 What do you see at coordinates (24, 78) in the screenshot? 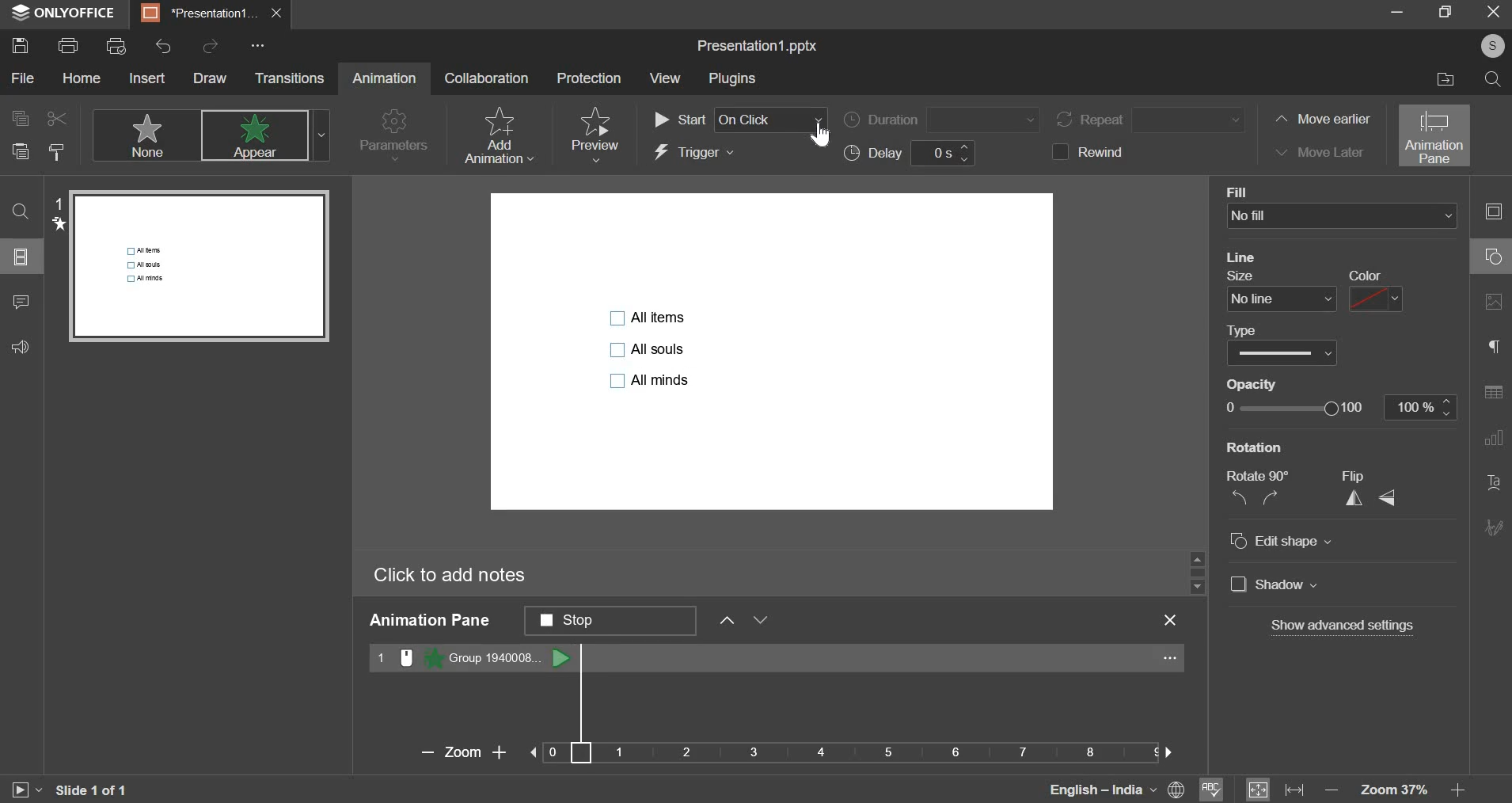
I see `file` at bounding box center [24, 78].